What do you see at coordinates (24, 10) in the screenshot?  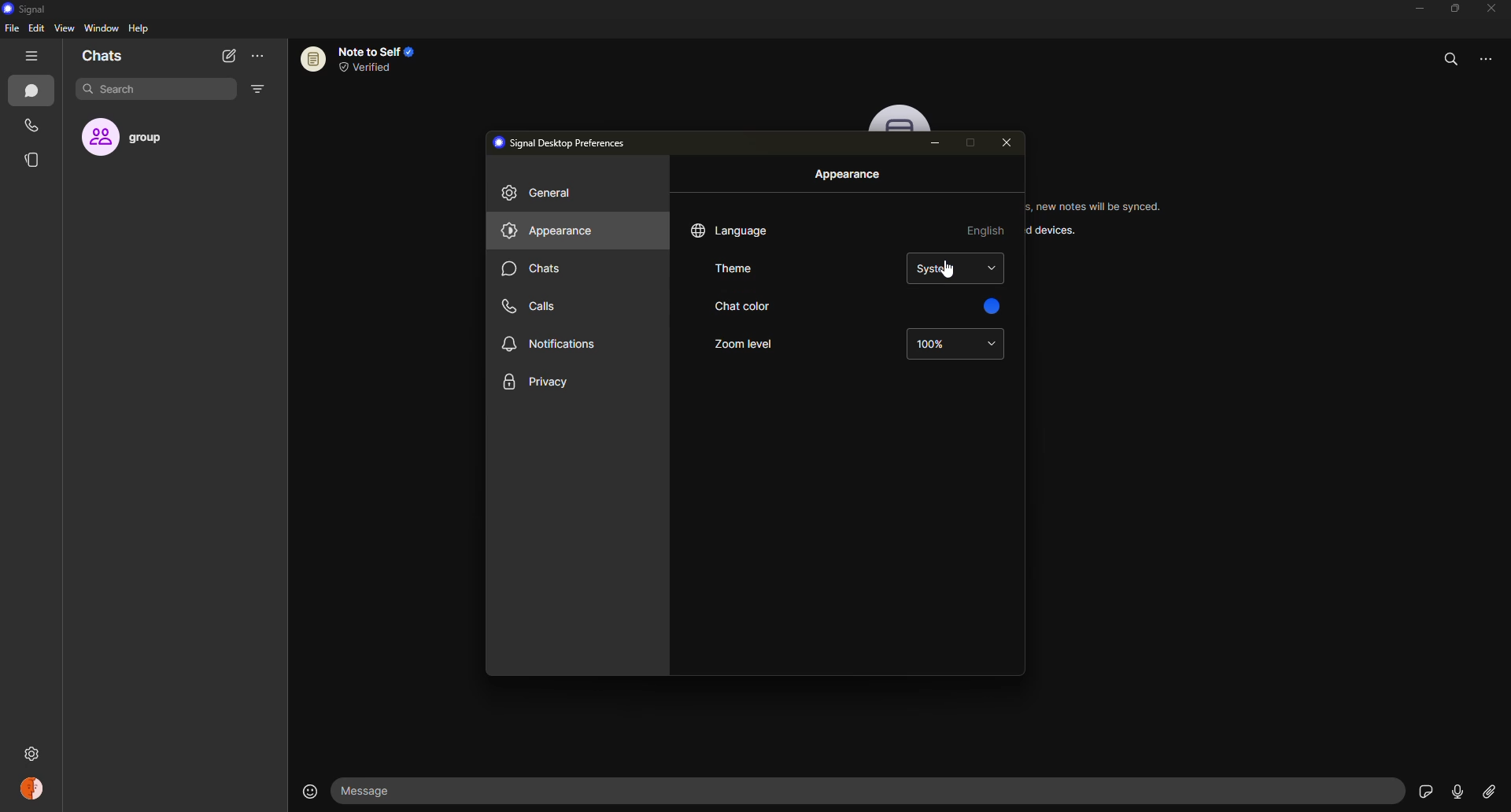 I see `signal` at bounding box center [24, 10].